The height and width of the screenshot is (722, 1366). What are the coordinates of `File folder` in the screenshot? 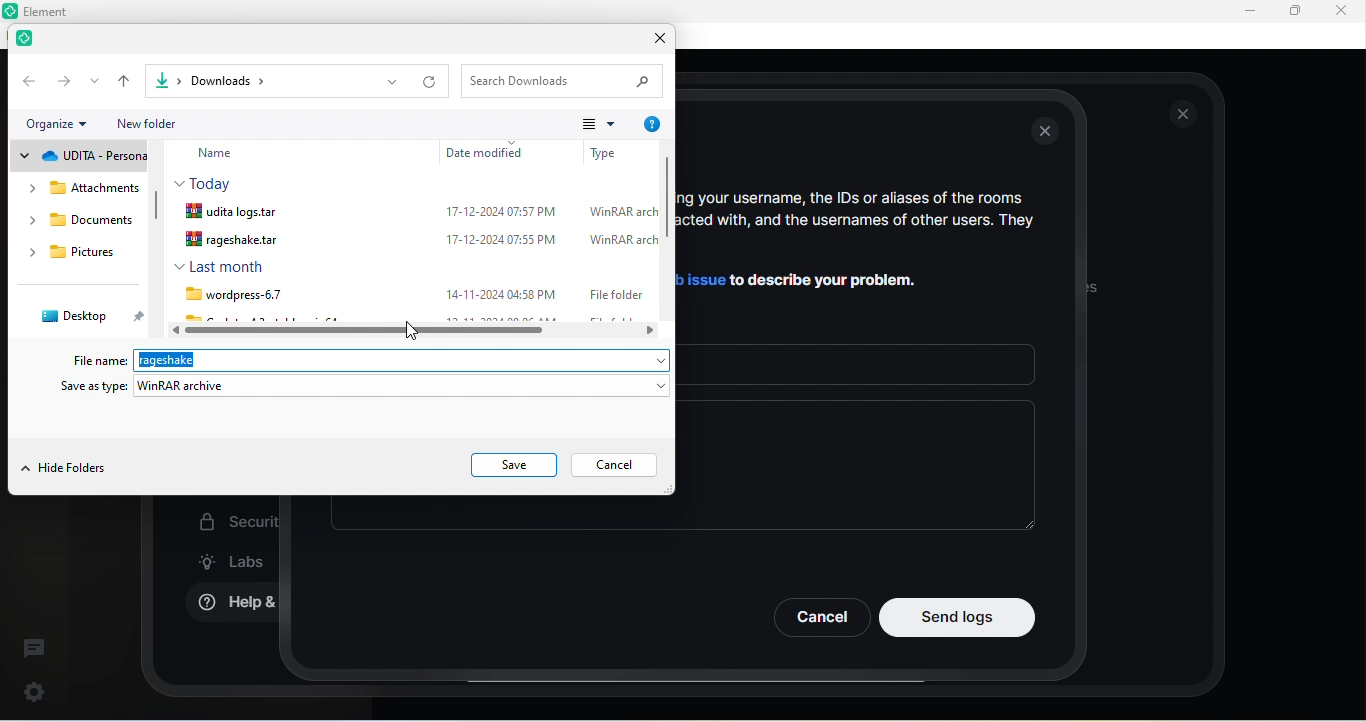 It's located at (614, 293).